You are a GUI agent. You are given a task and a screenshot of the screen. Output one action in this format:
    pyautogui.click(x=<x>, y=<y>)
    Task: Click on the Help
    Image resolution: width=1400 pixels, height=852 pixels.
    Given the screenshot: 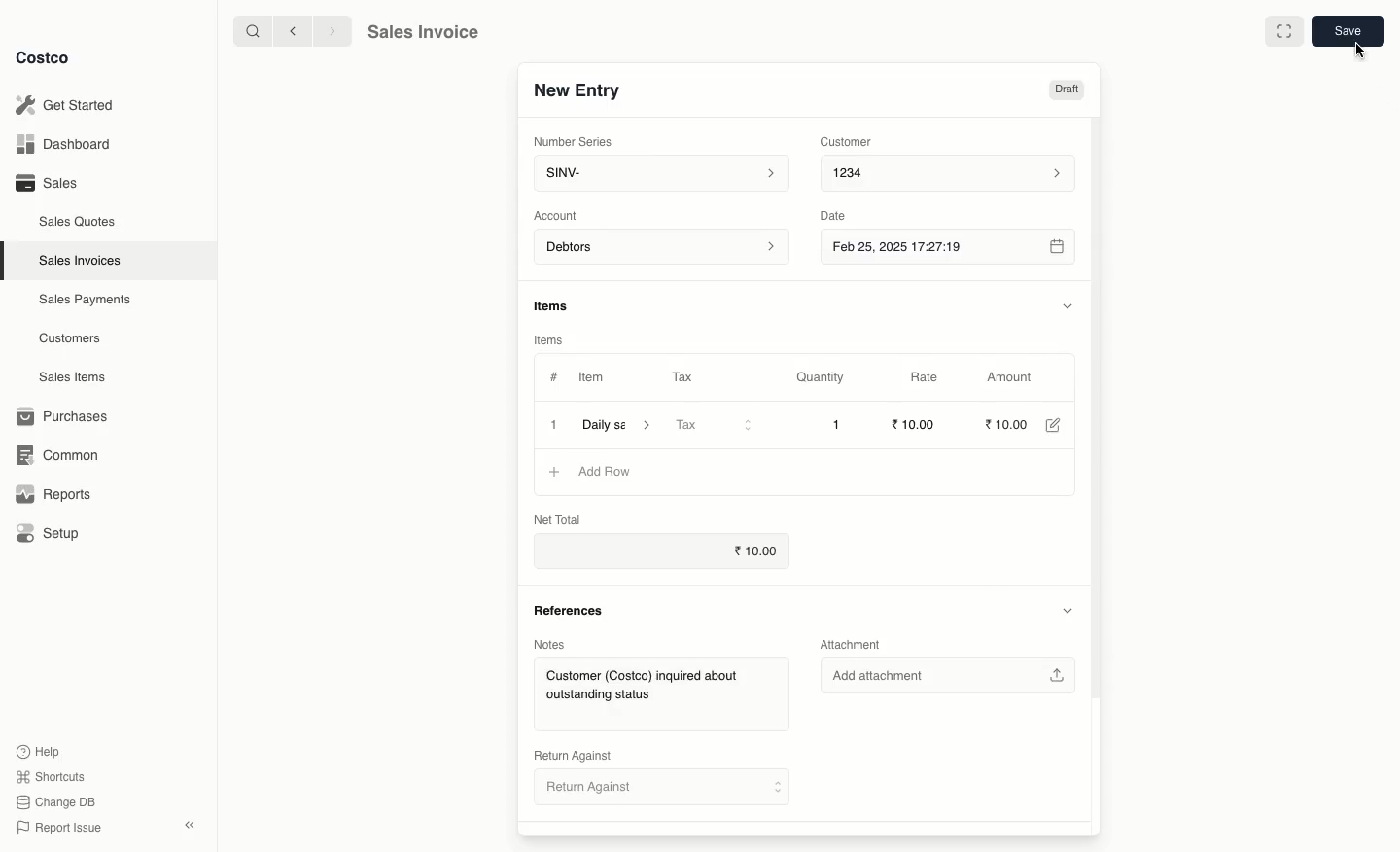 What is the action you would take?
    pyautogui.click(x=42, y=751)
    